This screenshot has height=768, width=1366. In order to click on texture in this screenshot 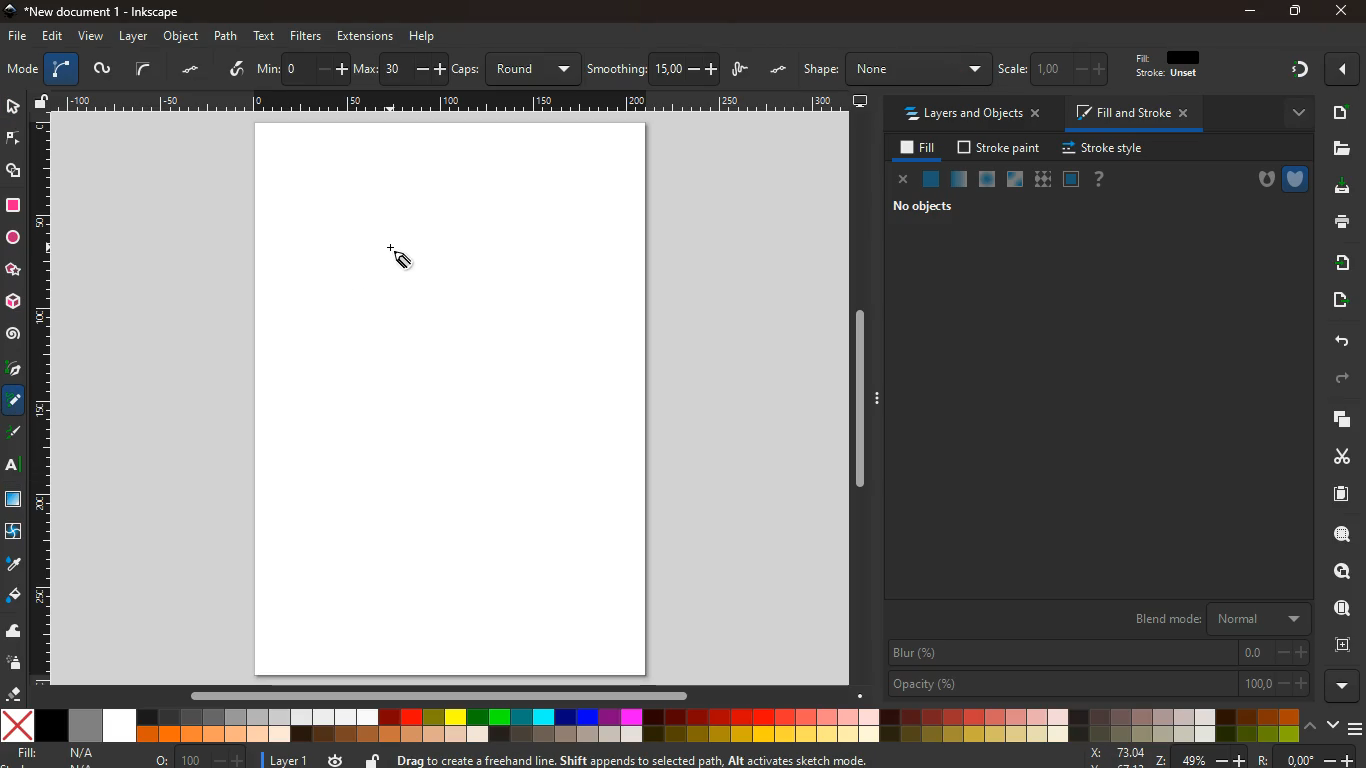, I will do `click(1043, 180)`.